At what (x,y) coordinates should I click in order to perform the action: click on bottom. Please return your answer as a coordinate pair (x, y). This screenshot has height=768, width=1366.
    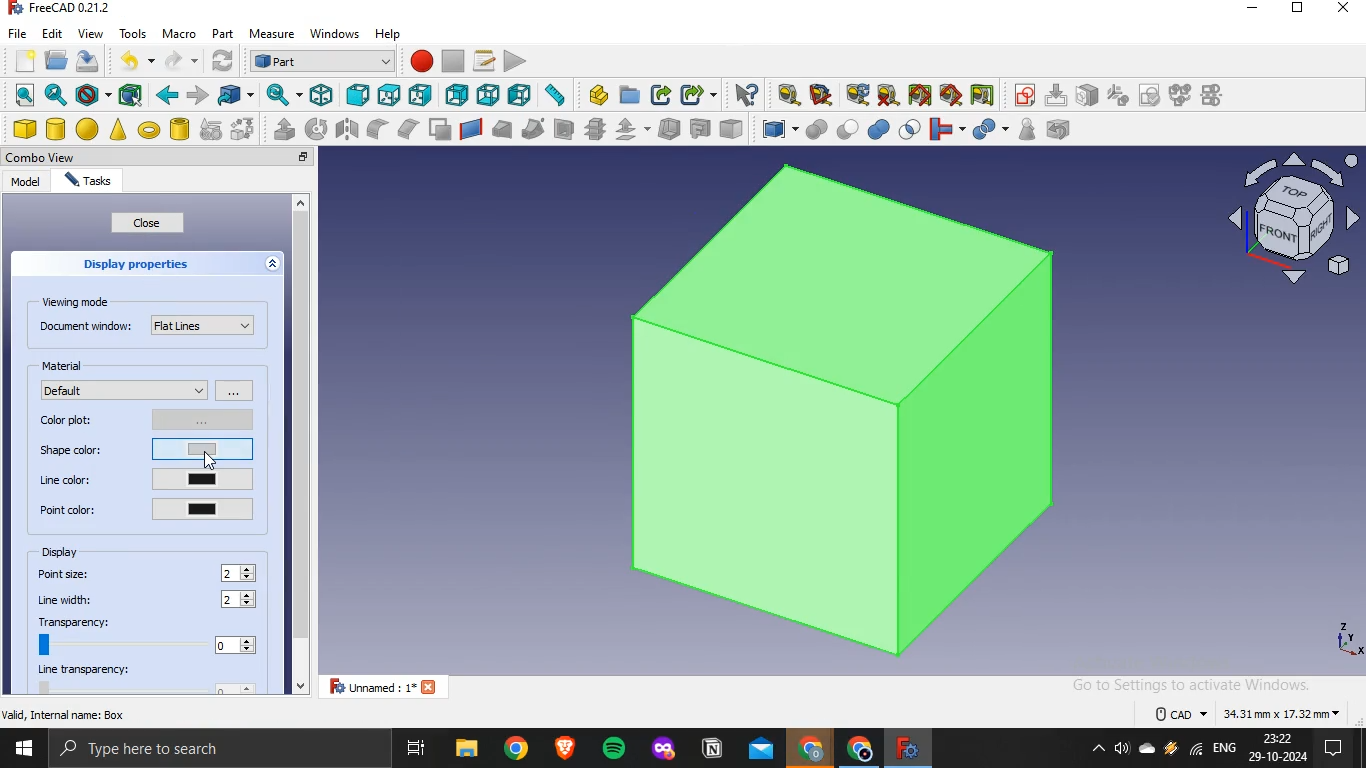
    Looking at the image, I should click on (489, 95).